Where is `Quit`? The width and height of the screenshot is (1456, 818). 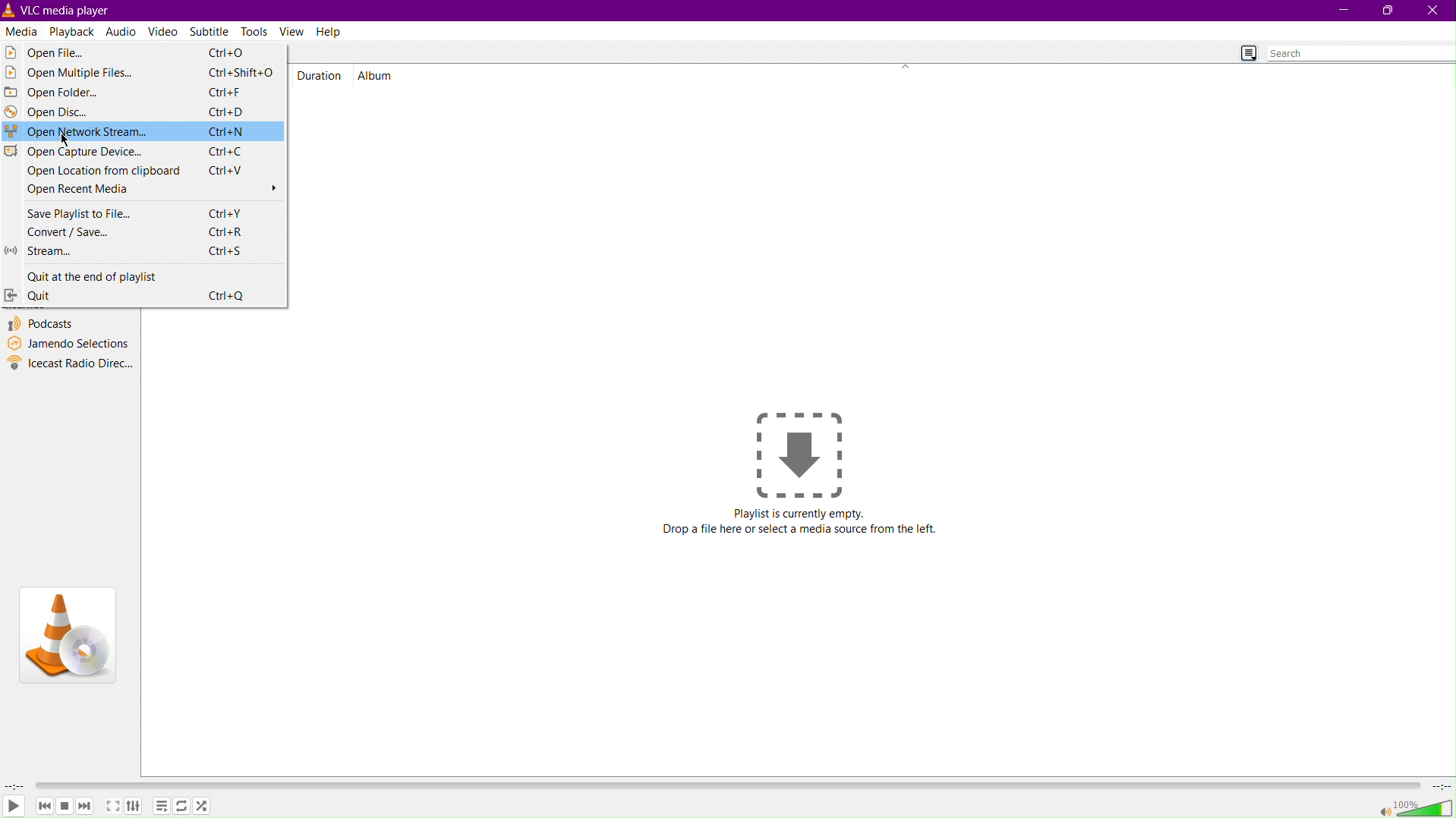 Quit is located at coordinates (82, 296).